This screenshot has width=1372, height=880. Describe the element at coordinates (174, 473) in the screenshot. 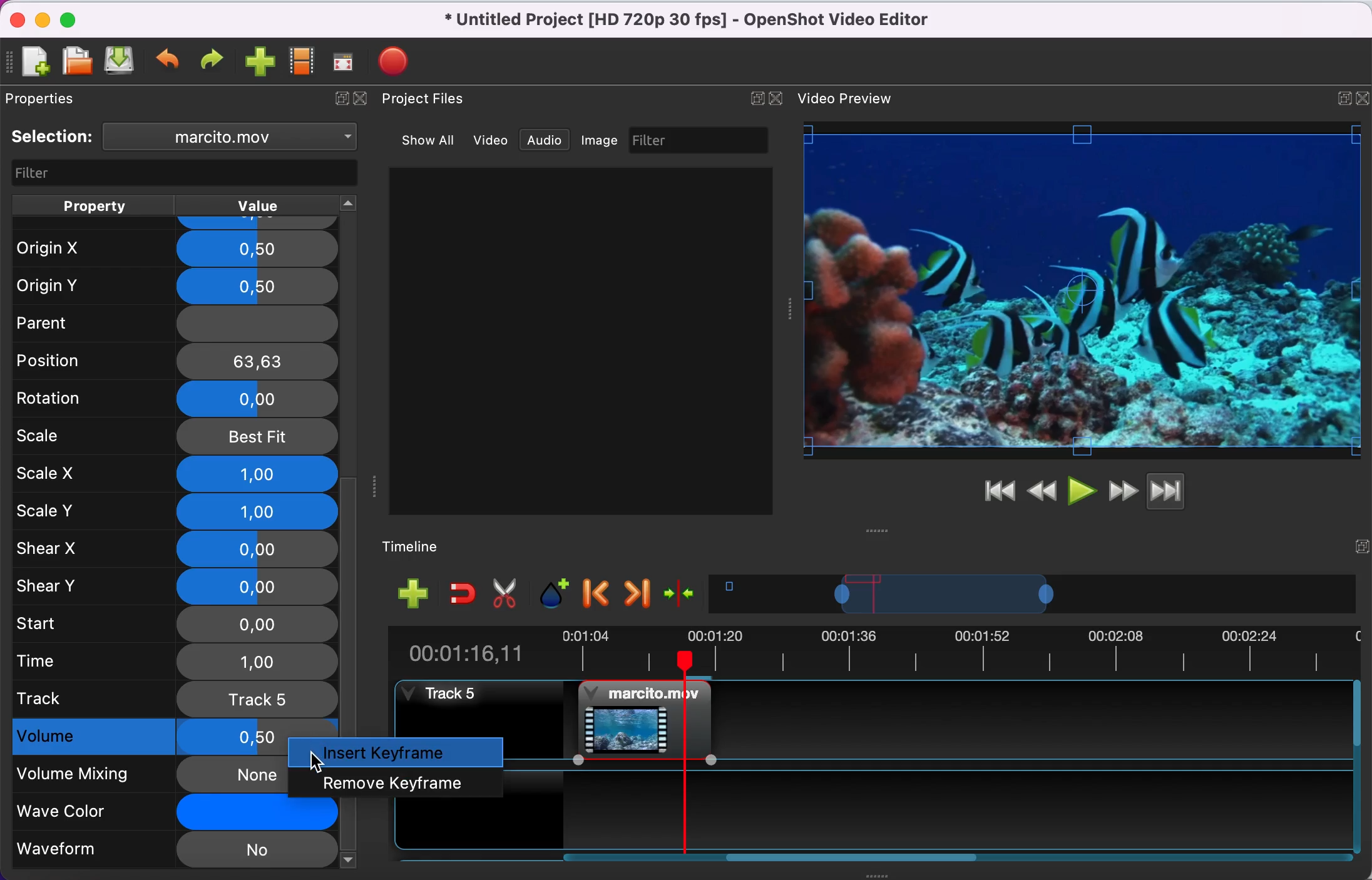

I see `scale x 1` at that location.